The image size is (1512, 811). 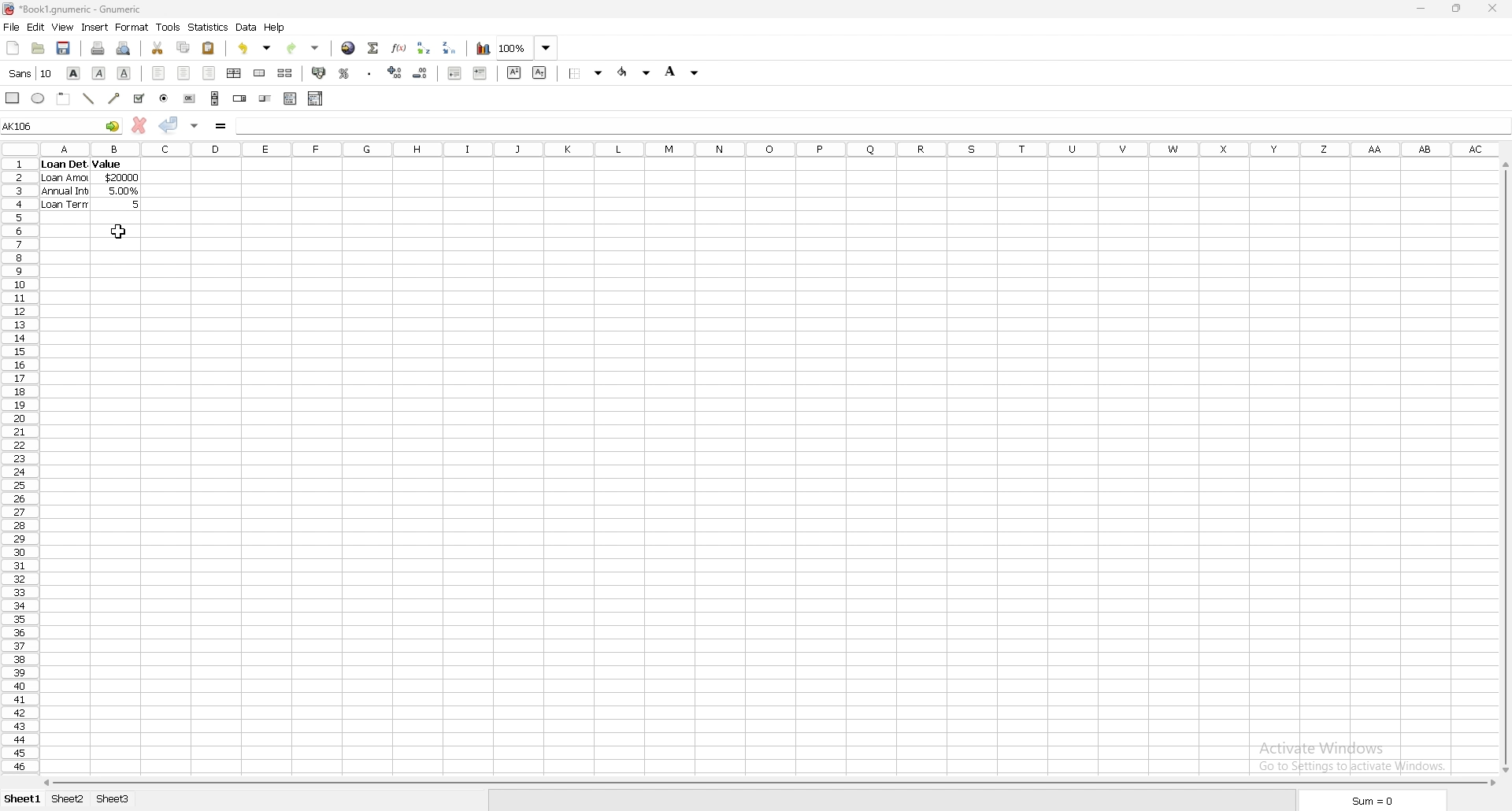 What do you see at coordinates (455, 72) in the screenshot?
I see `decrease indent` at bounding box center [455, 72].